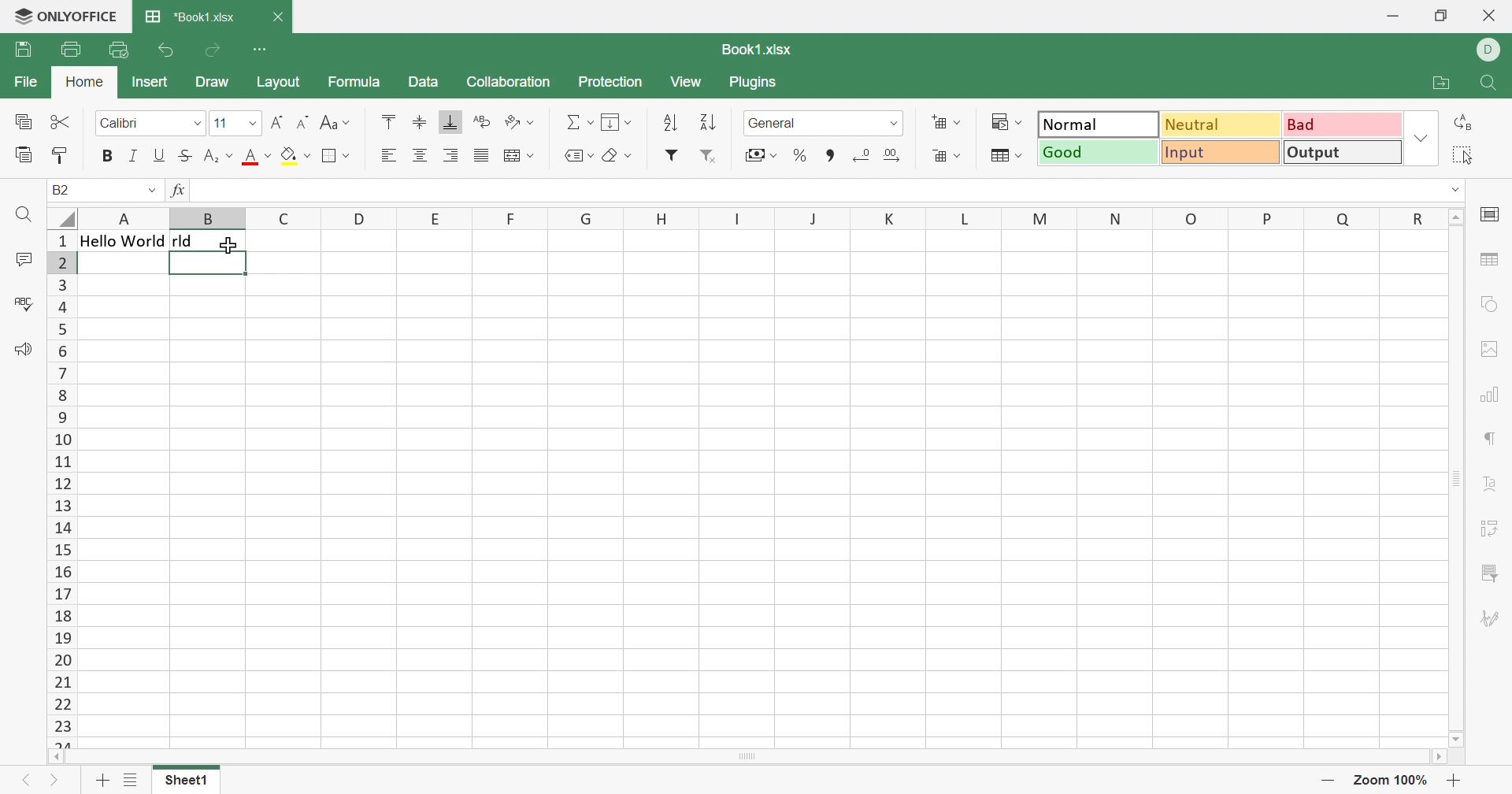 Image resolution: width=1512 pixels, height=794 pixels. What do you see at coordinates (761, 82) in the screenshot?
I see `Plugins` at bounding box center [761, 82].